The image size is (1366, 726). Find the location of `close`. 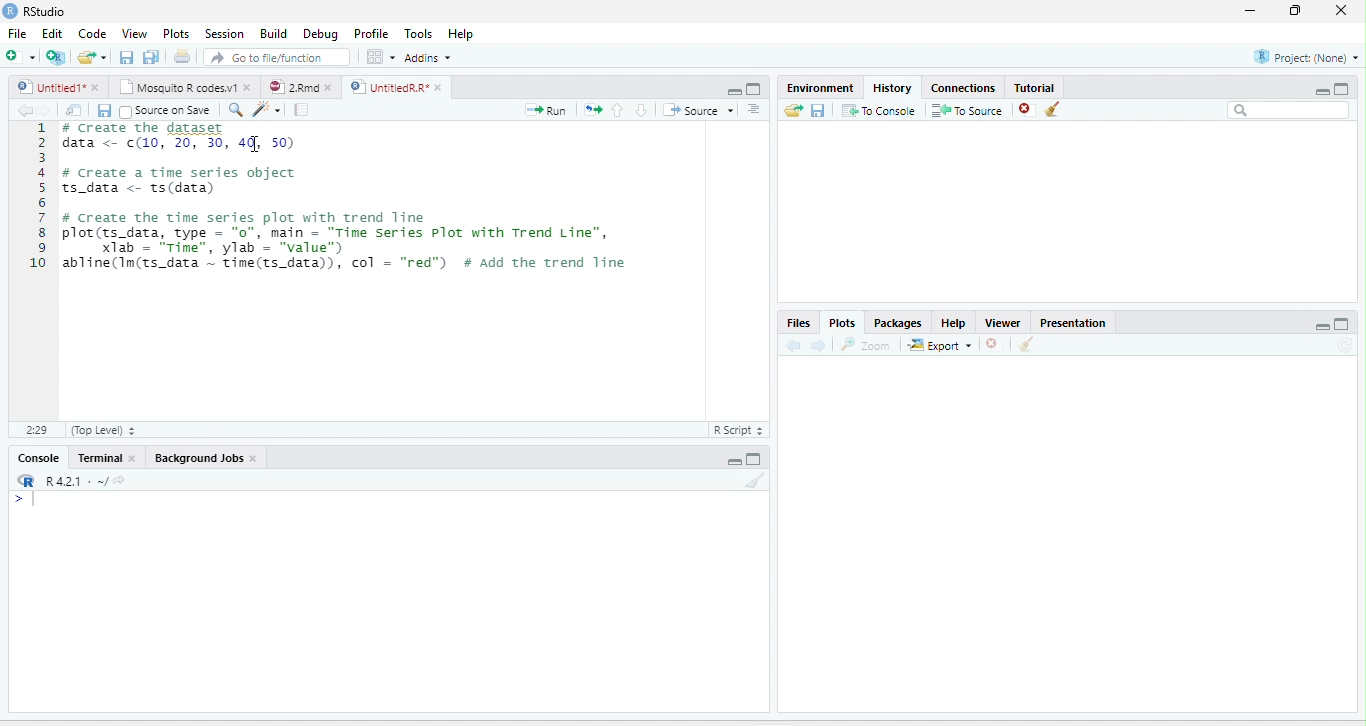

close is located at coordinates (254, 458).